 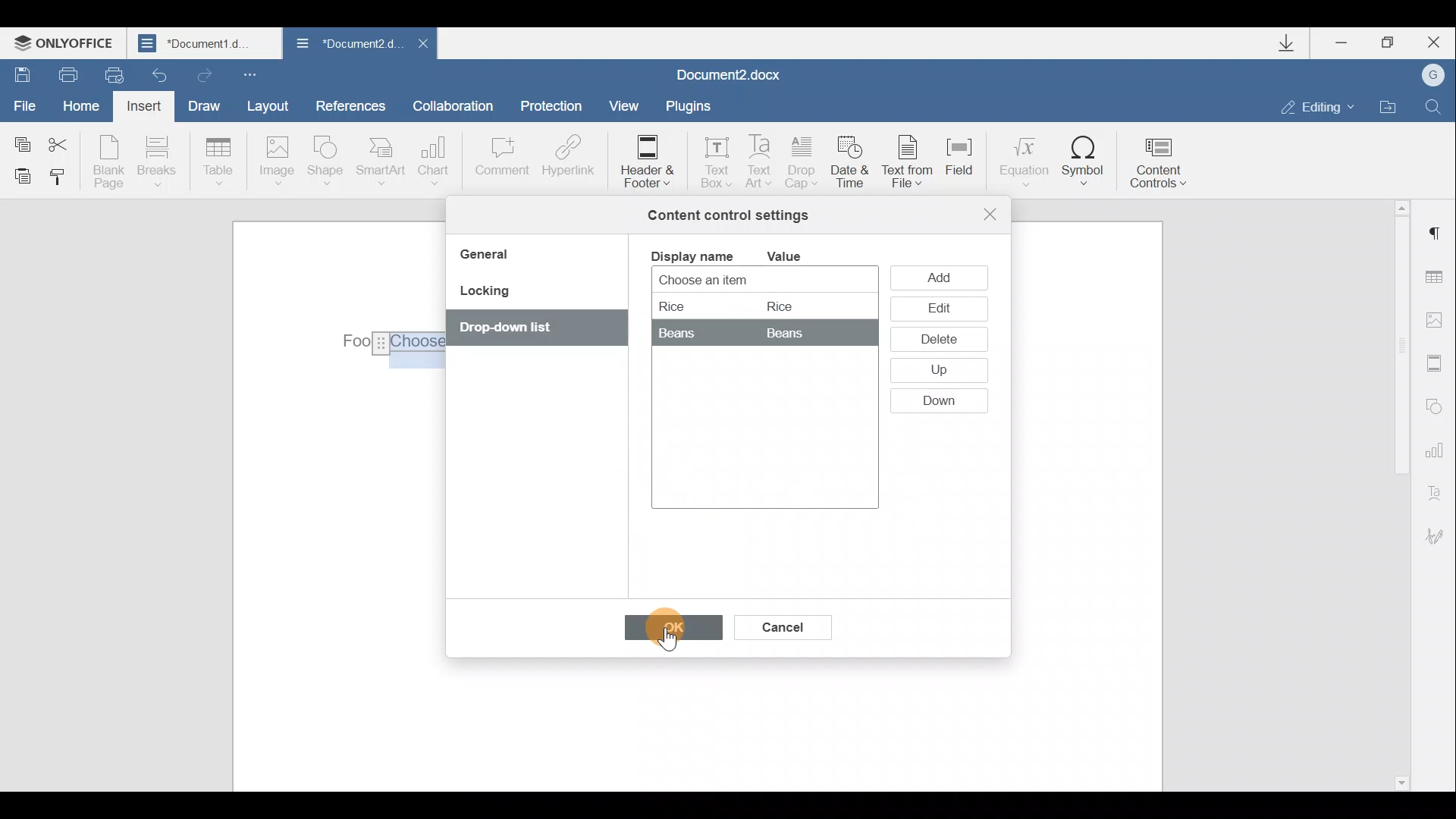 What do you see at coordinates (347, 46) in the screenshot?
I see `Document2 d..` at bounding box center [347, 46].